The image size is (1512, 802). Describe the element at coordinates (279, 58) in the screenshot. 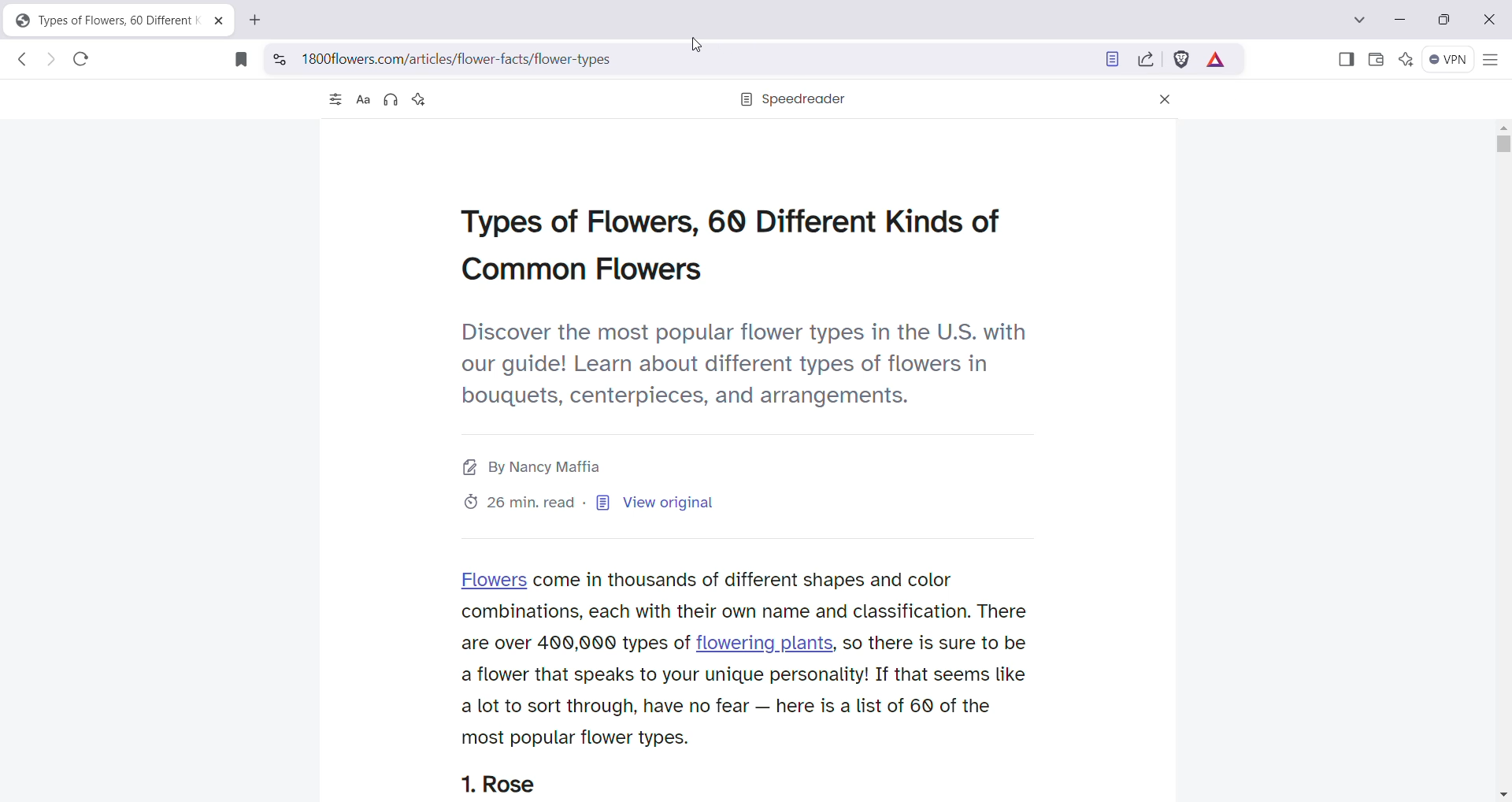

I see `Visit site information` at that location.